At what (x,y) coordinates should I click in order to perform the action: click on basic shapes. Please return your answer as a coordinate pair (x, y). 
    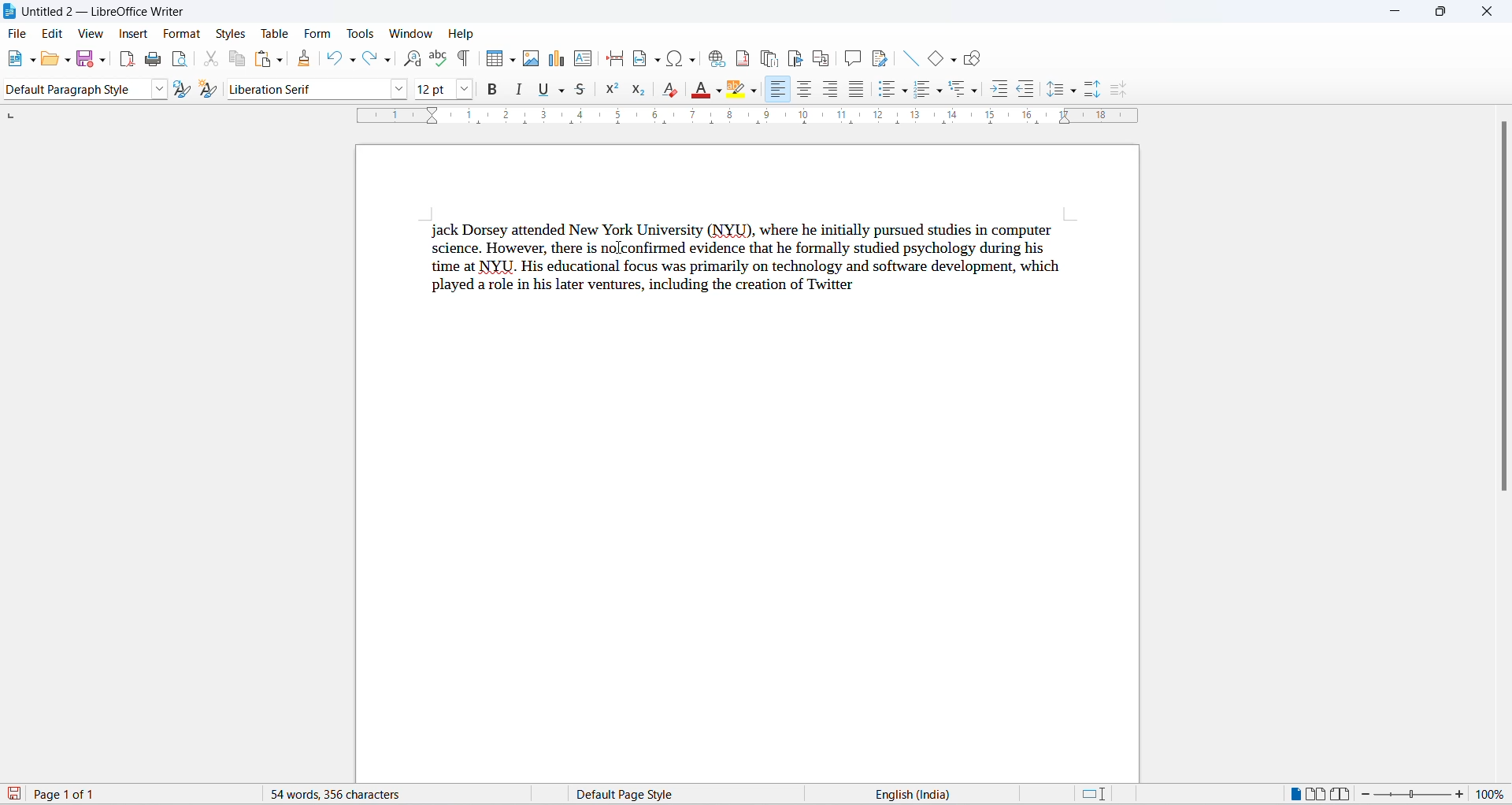
    Looking at the image, I should click on (936, 61).